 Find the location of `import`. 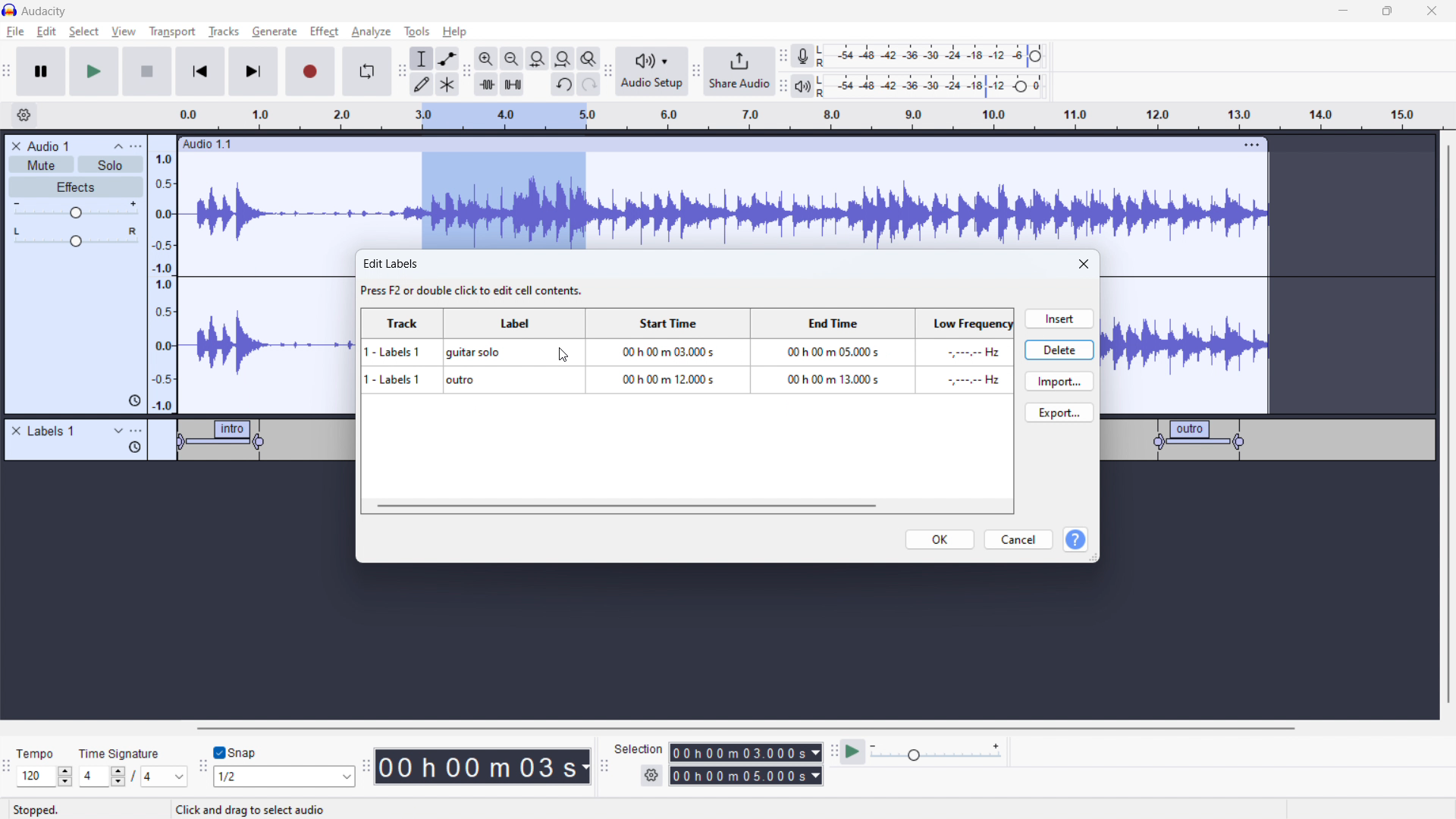

import is located at coordinates (1059, 381).